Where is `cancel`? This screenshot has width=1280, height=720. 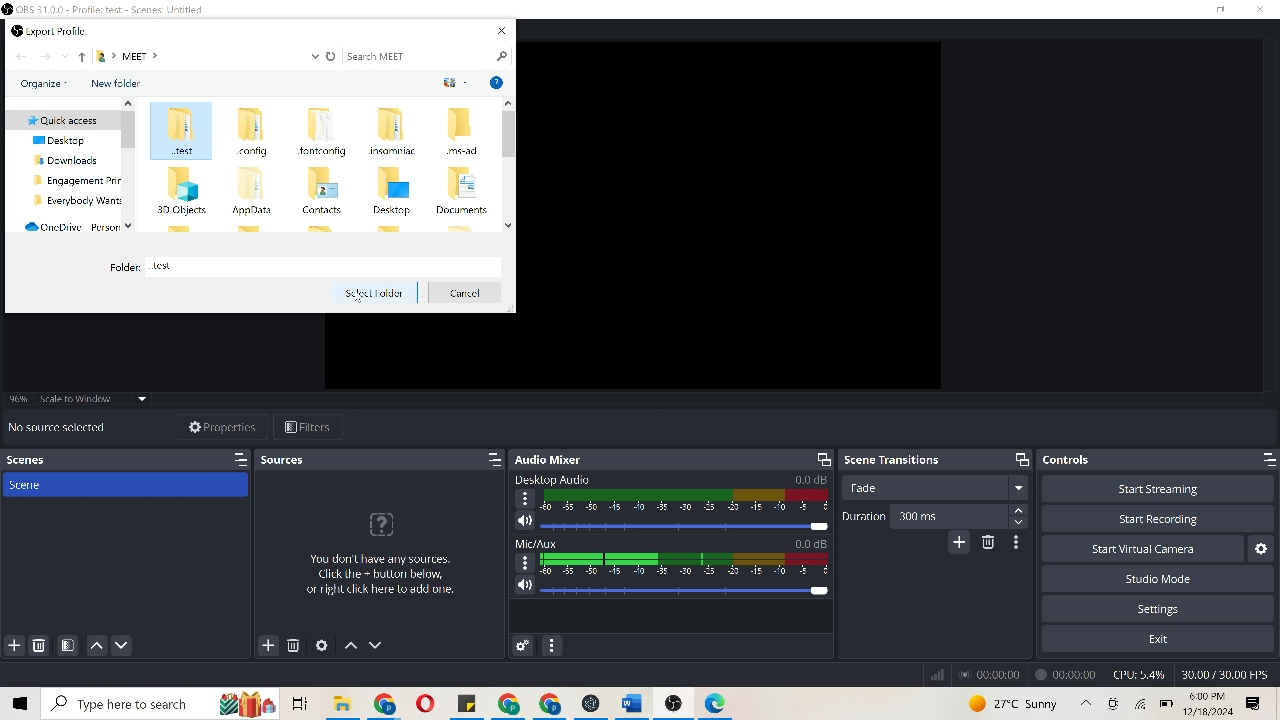
cancel is located at coordinates (467, 295).